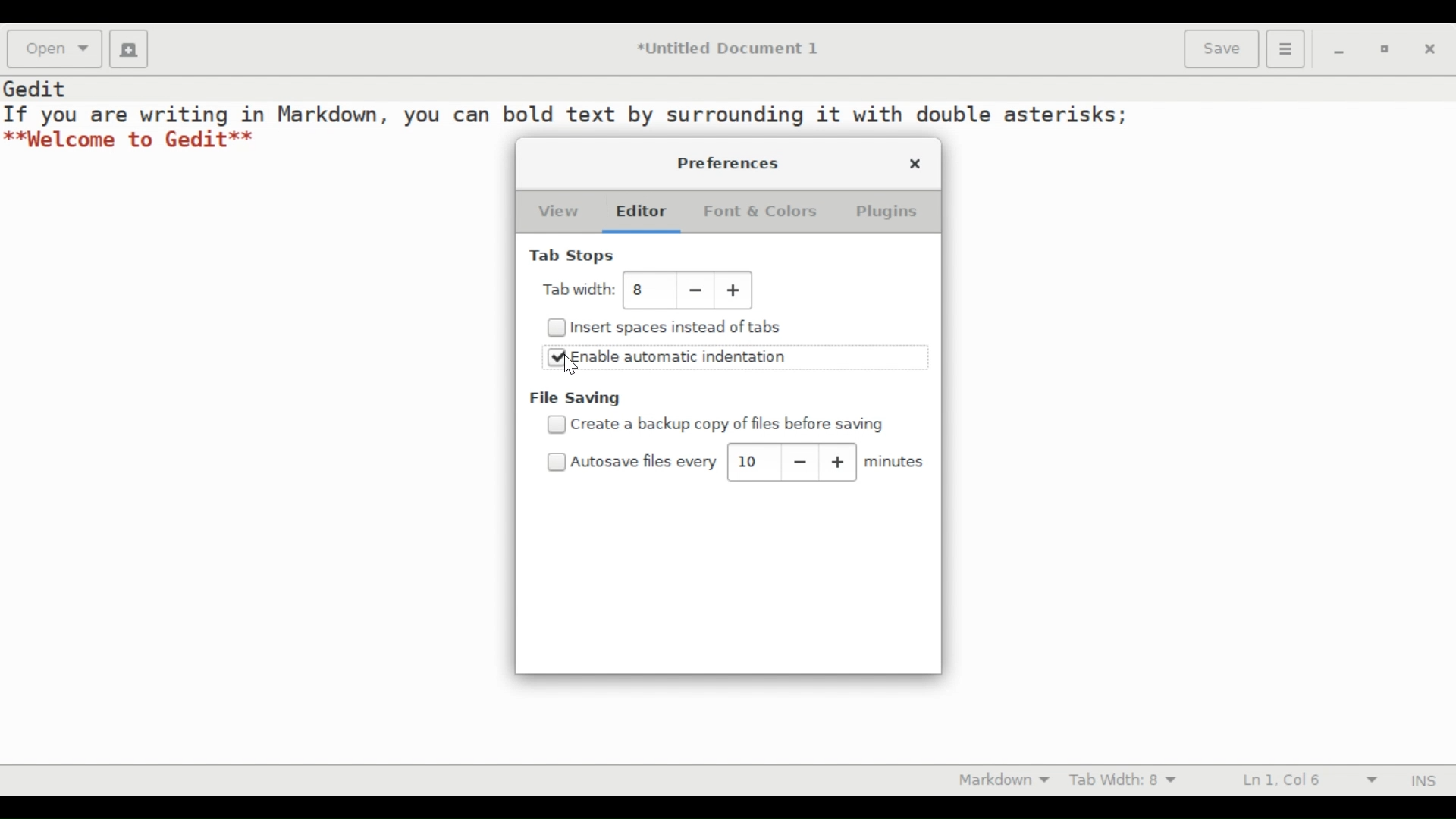 Image resolution: width=1456 pixels, height=819 pixels. What do you see at coordinates (730, 163) in the screenshot?
I see `Preferences` at bounding box center [730, 163].